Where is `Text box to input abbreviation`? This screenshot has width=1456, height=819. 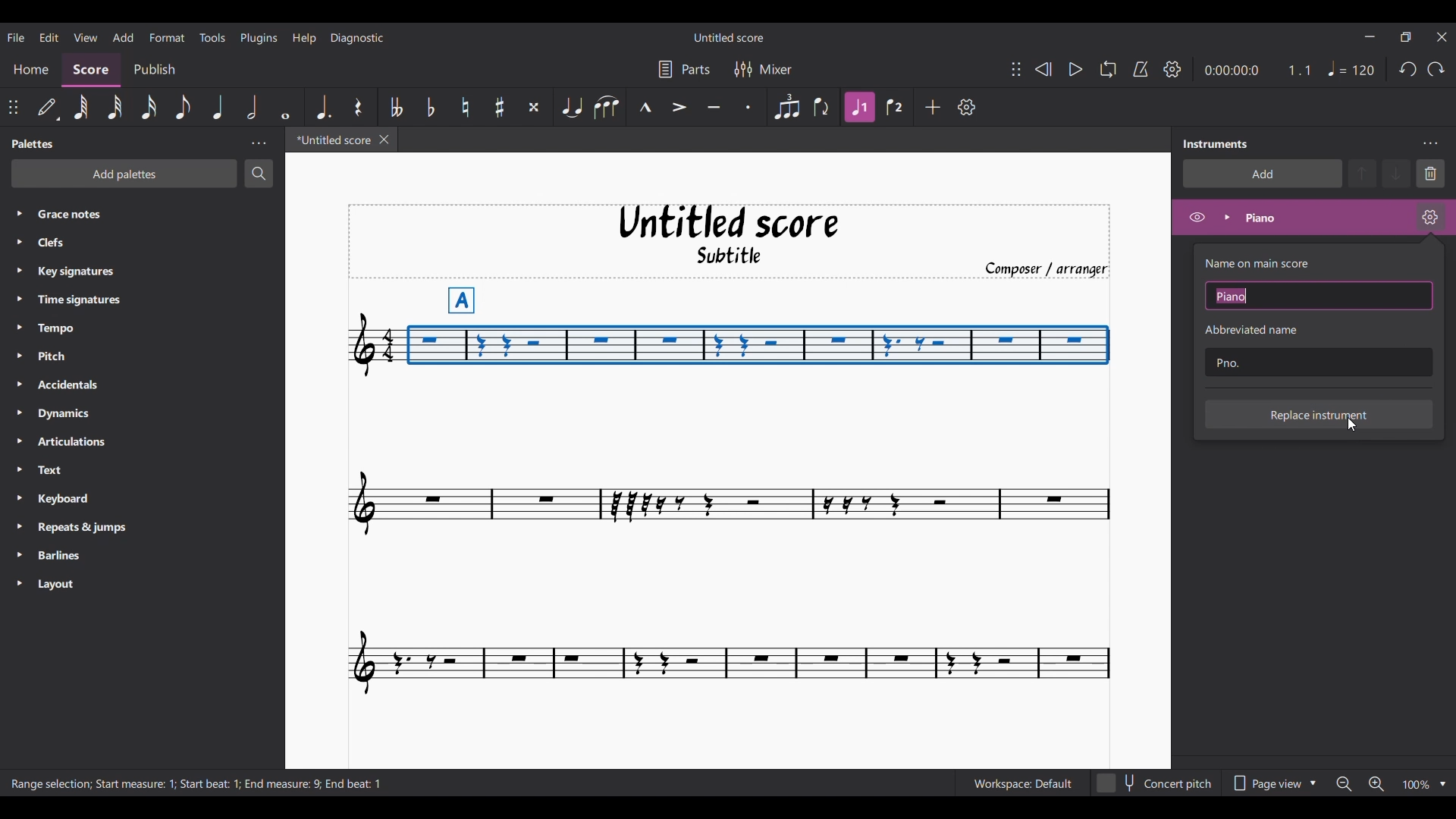 Text box to input abbreviation is located at coordinates (1319, 362).